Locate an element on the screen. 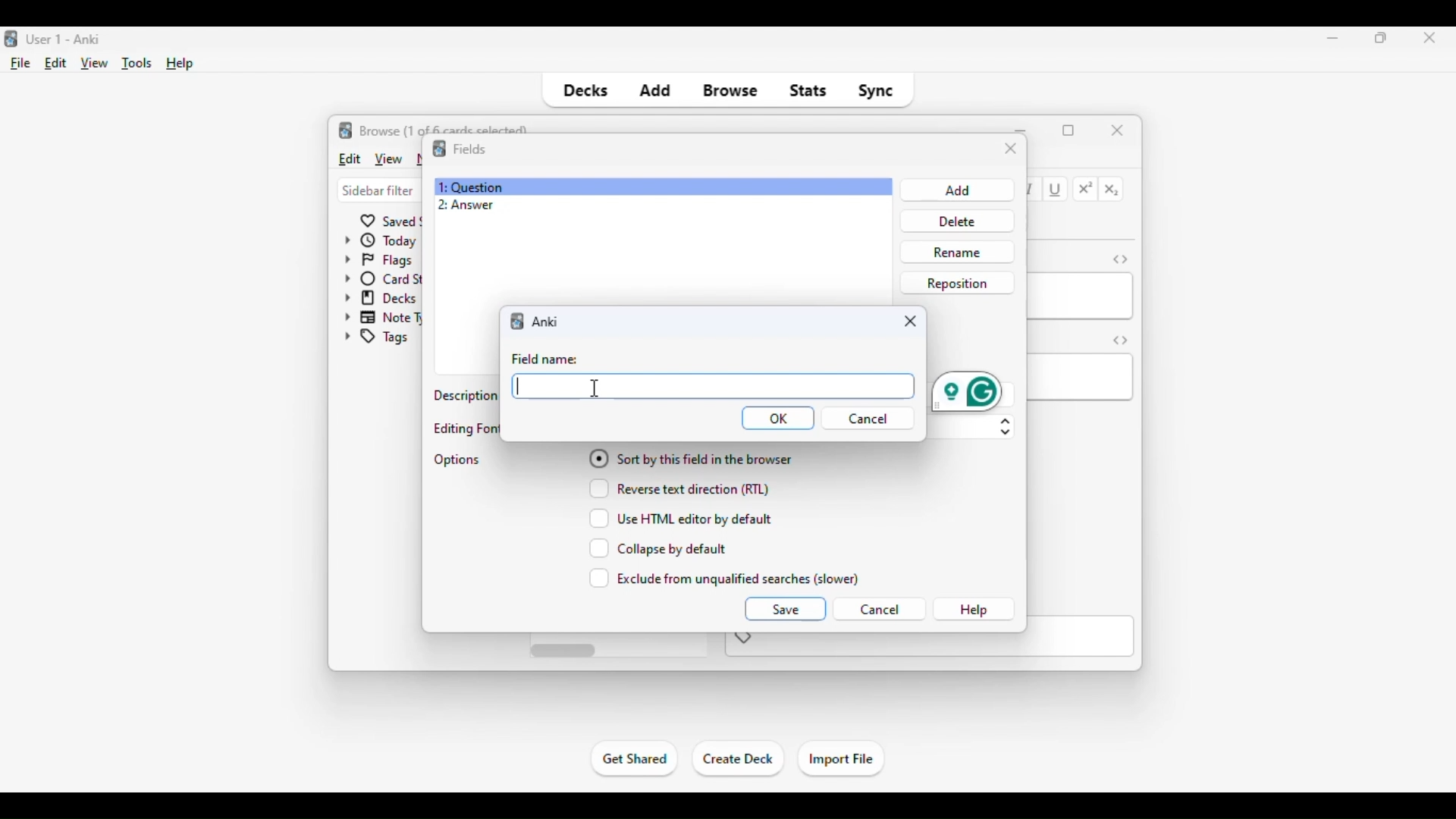 The width and height of the screenshot is (1456, 819). import file is located at coordinates (840, 760).